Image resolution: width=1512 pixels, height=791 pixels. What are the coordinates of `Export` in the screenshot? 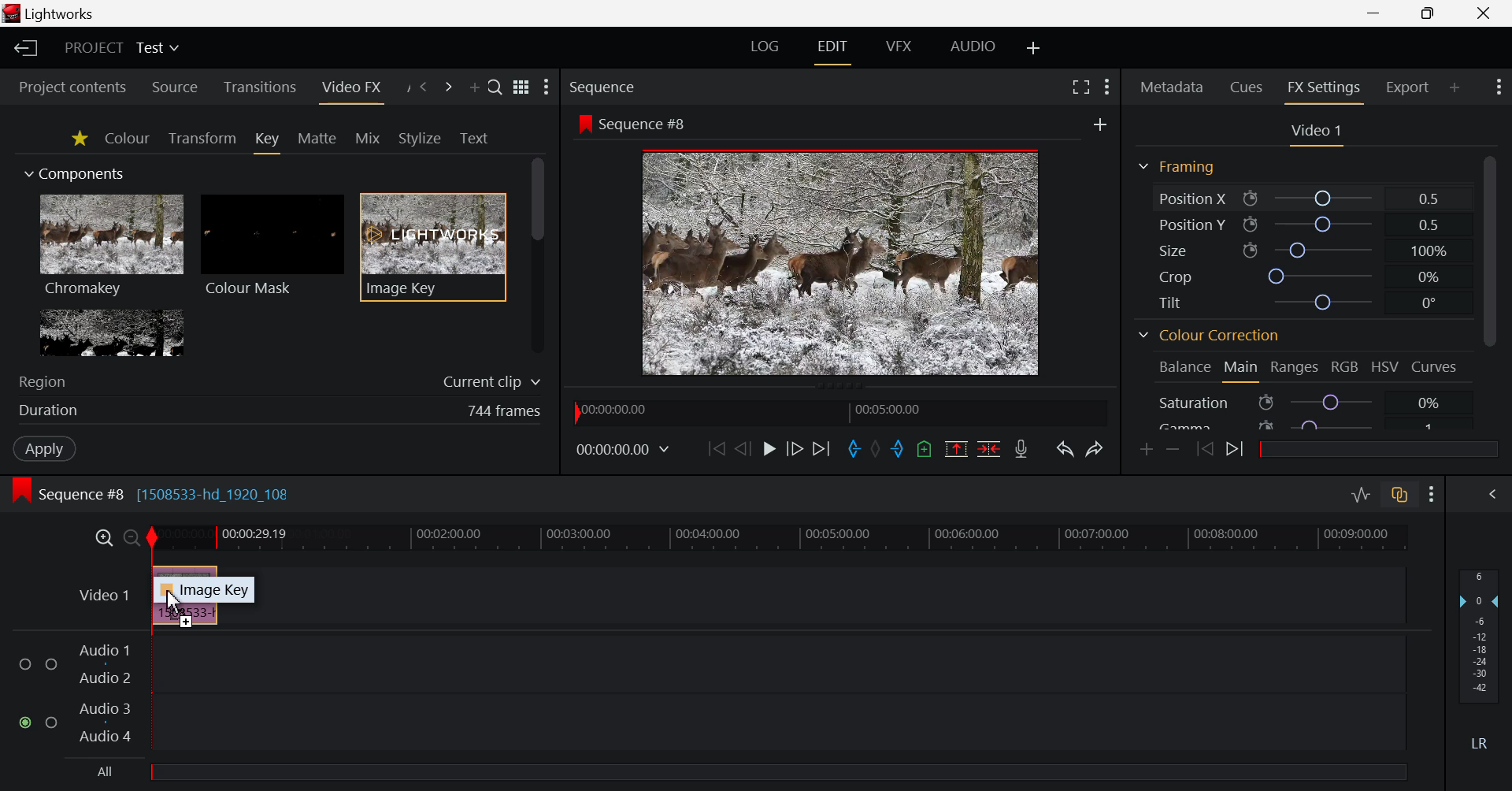 It's located at (1405, 87).